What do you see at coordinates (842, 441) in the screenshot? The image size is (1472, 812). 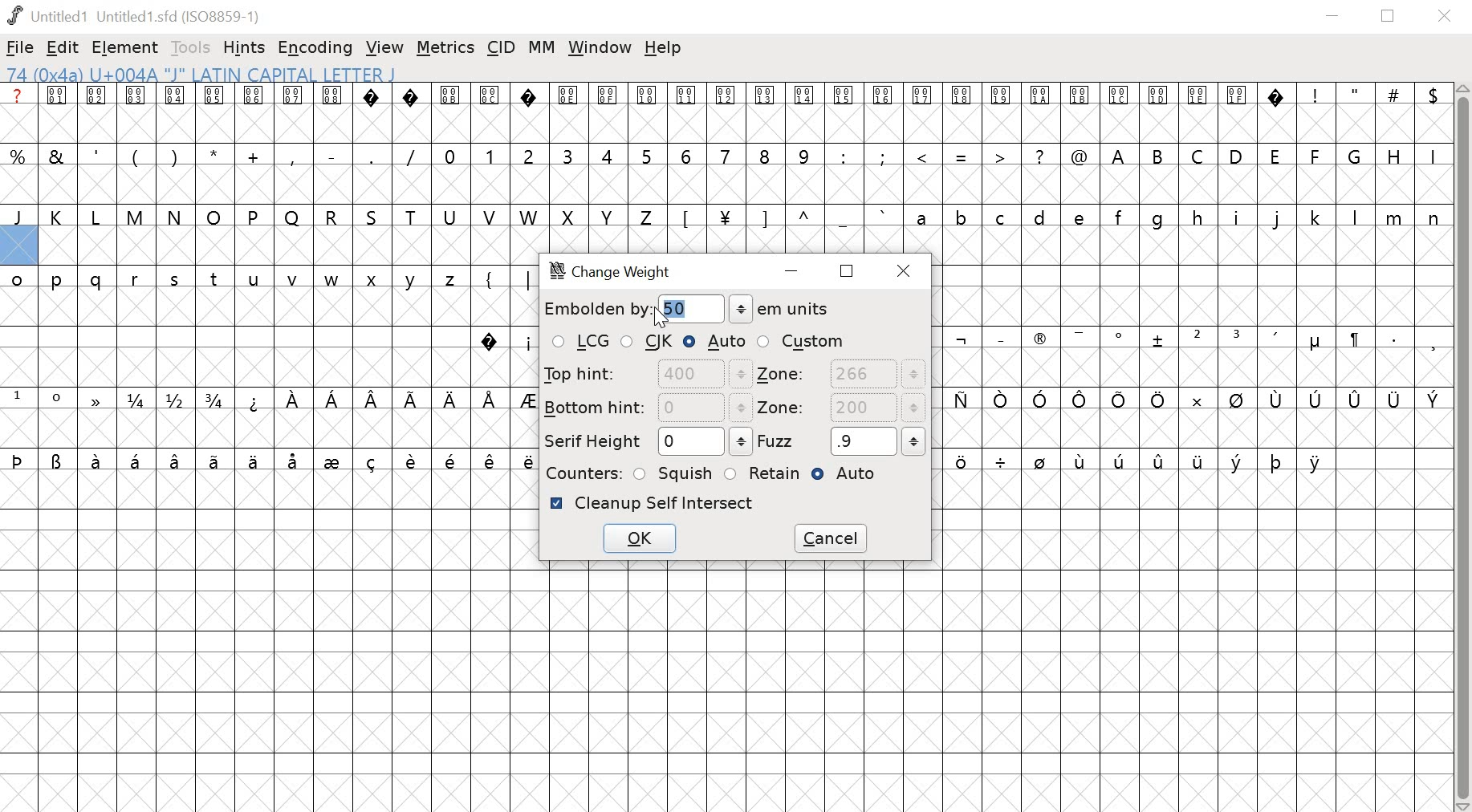 I see `FUZZ` at bounding box center [842, 441].